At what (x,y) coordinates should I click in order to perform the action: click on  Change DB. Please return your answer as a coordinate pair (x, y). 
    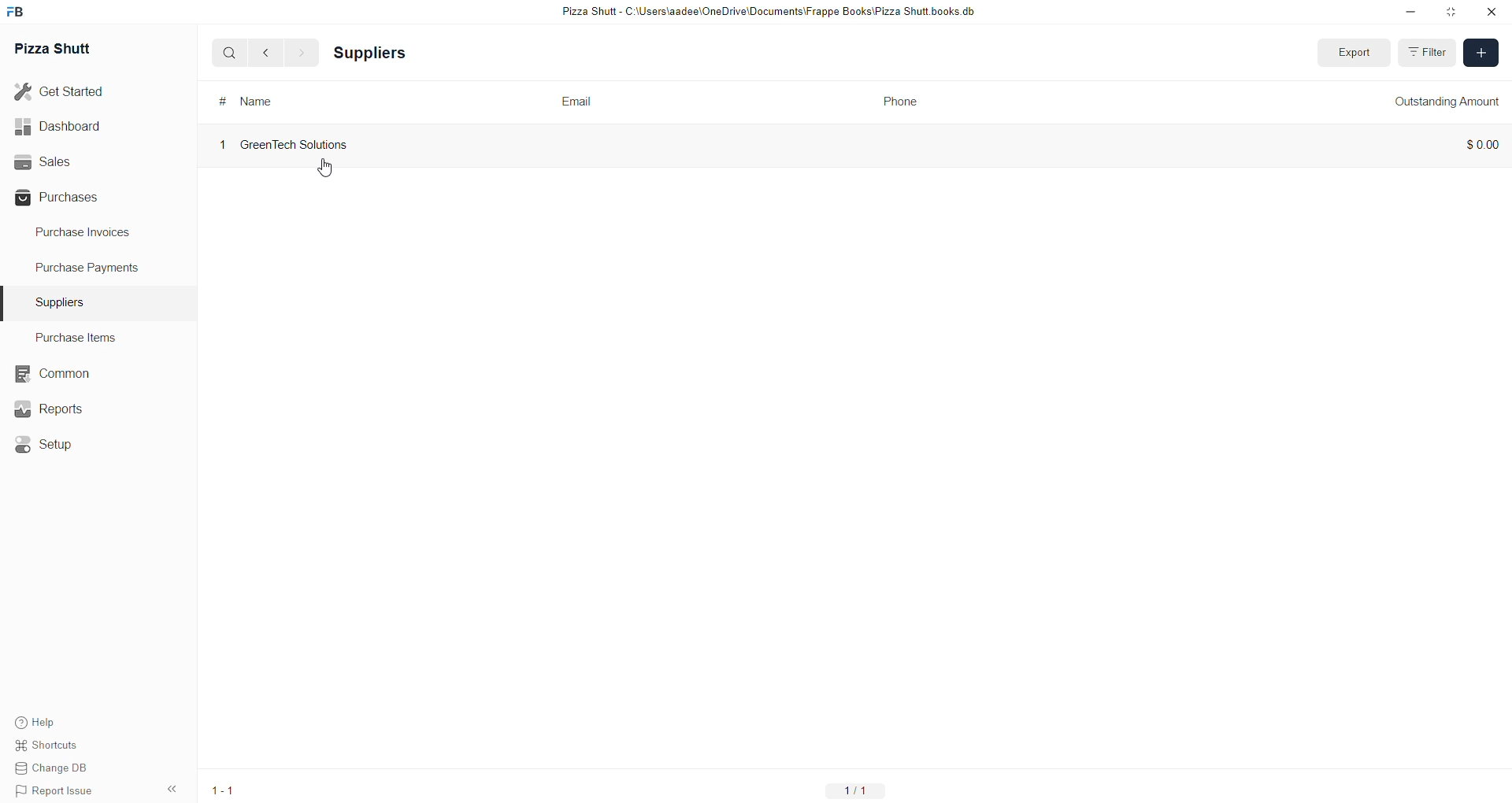
    Looking at the image, I should click on (57, 770).